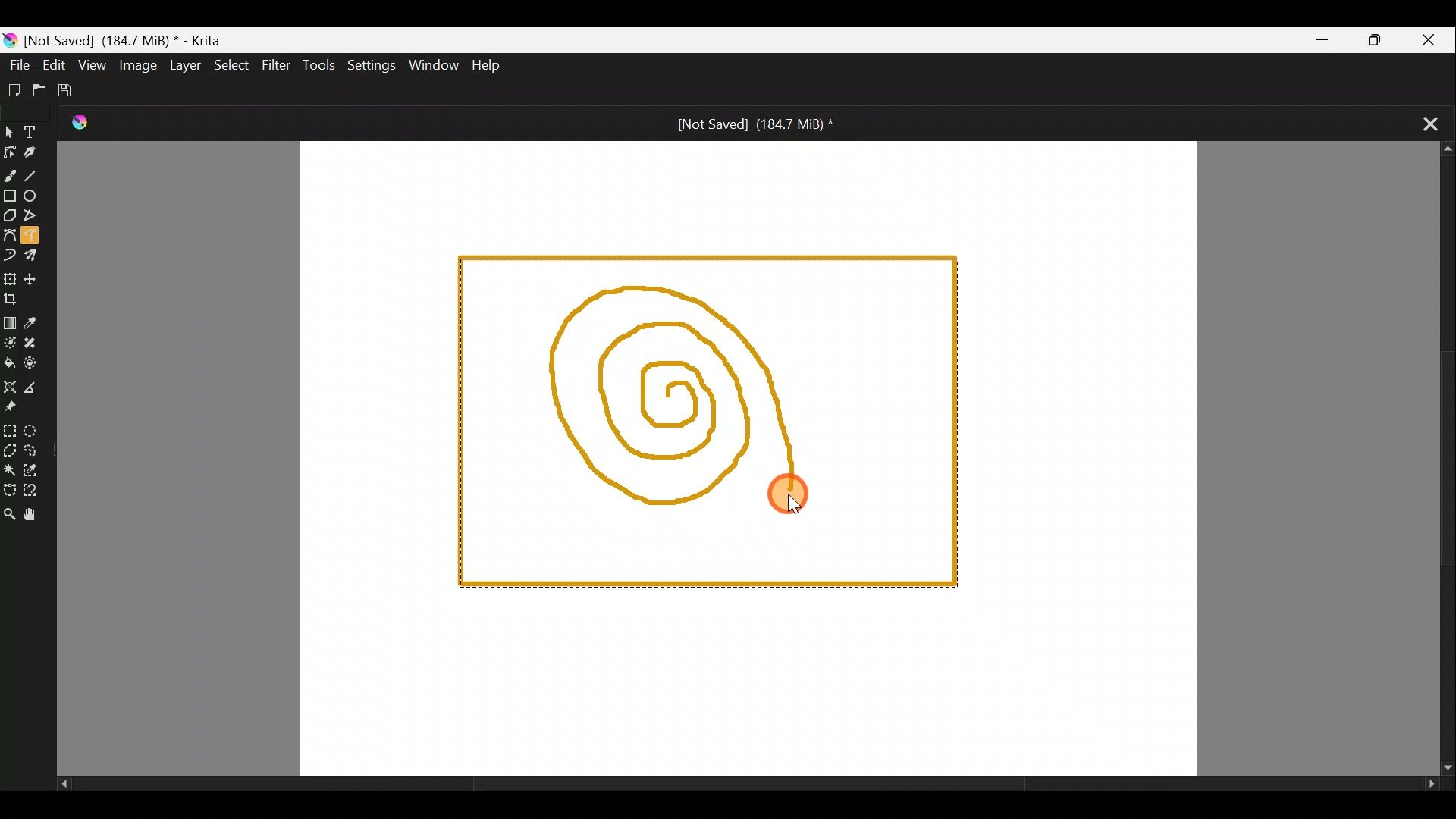  I want to click on Smart patch tool, so click(33, 343).